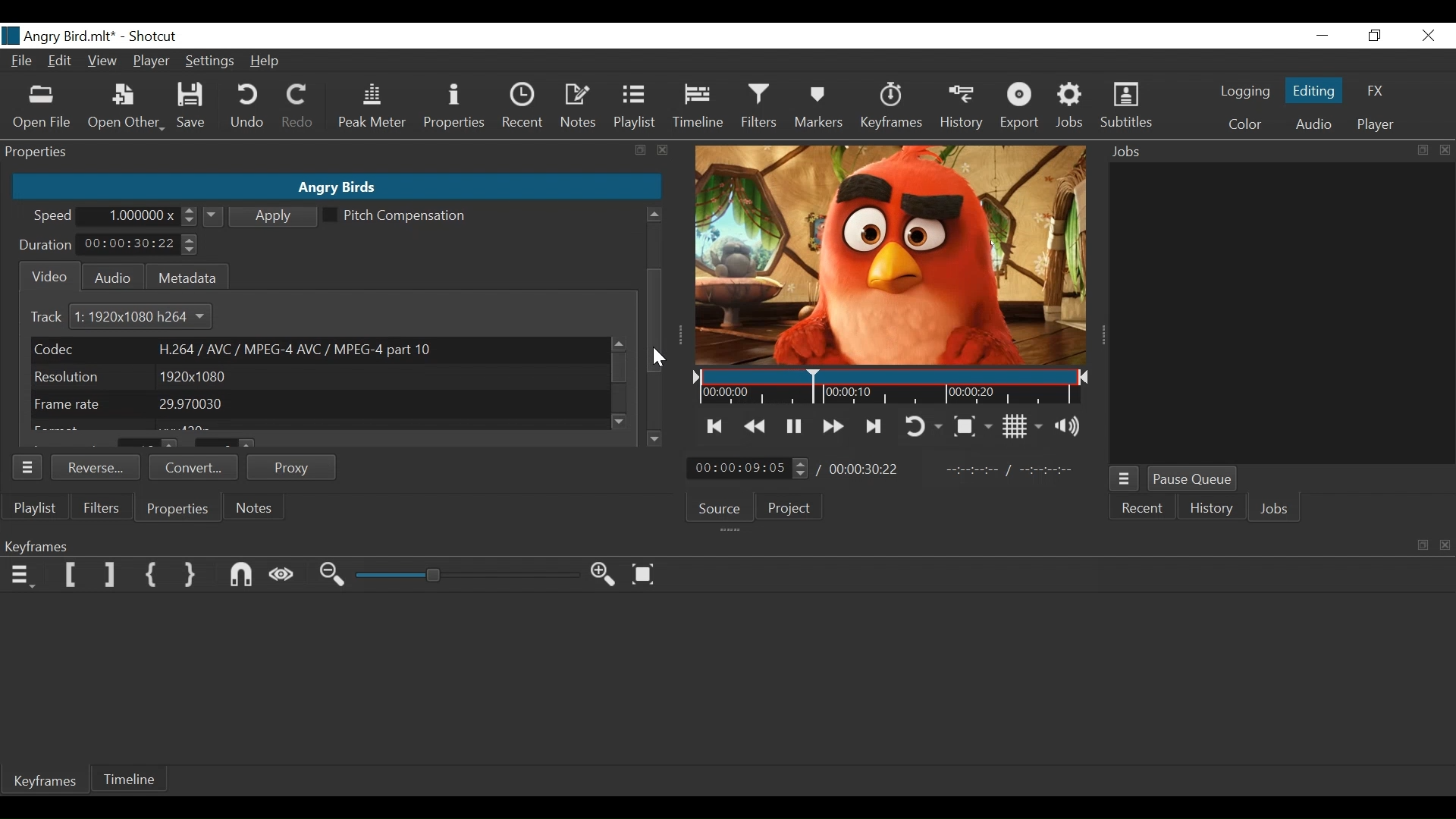 This screenshot has width=1456, height=819. What do you see at coordinates (46, 277) in the screenshot?
I see `Video` at bounding box center [46, 277].